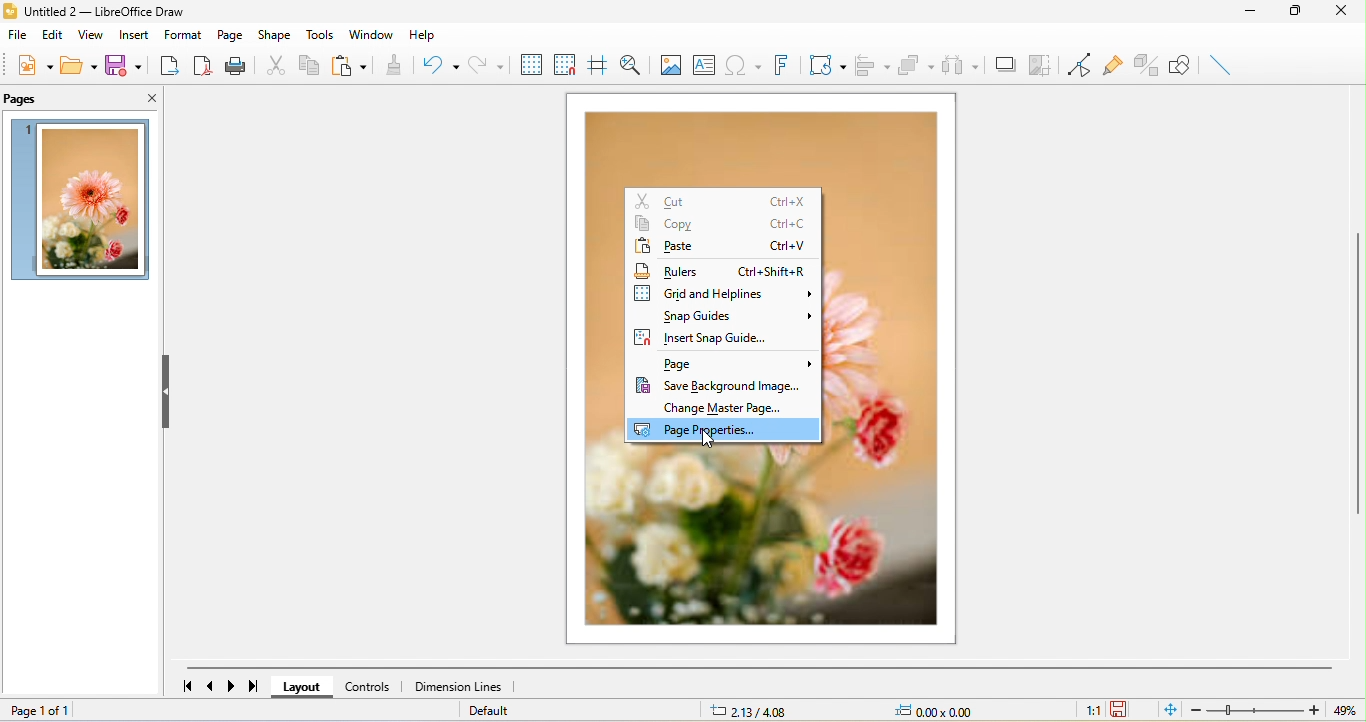 The image size is (1366, 722). What do you see at coordinates (780, 64) in the screenshot?
I see `font work text` at bounding box center [780, 64].